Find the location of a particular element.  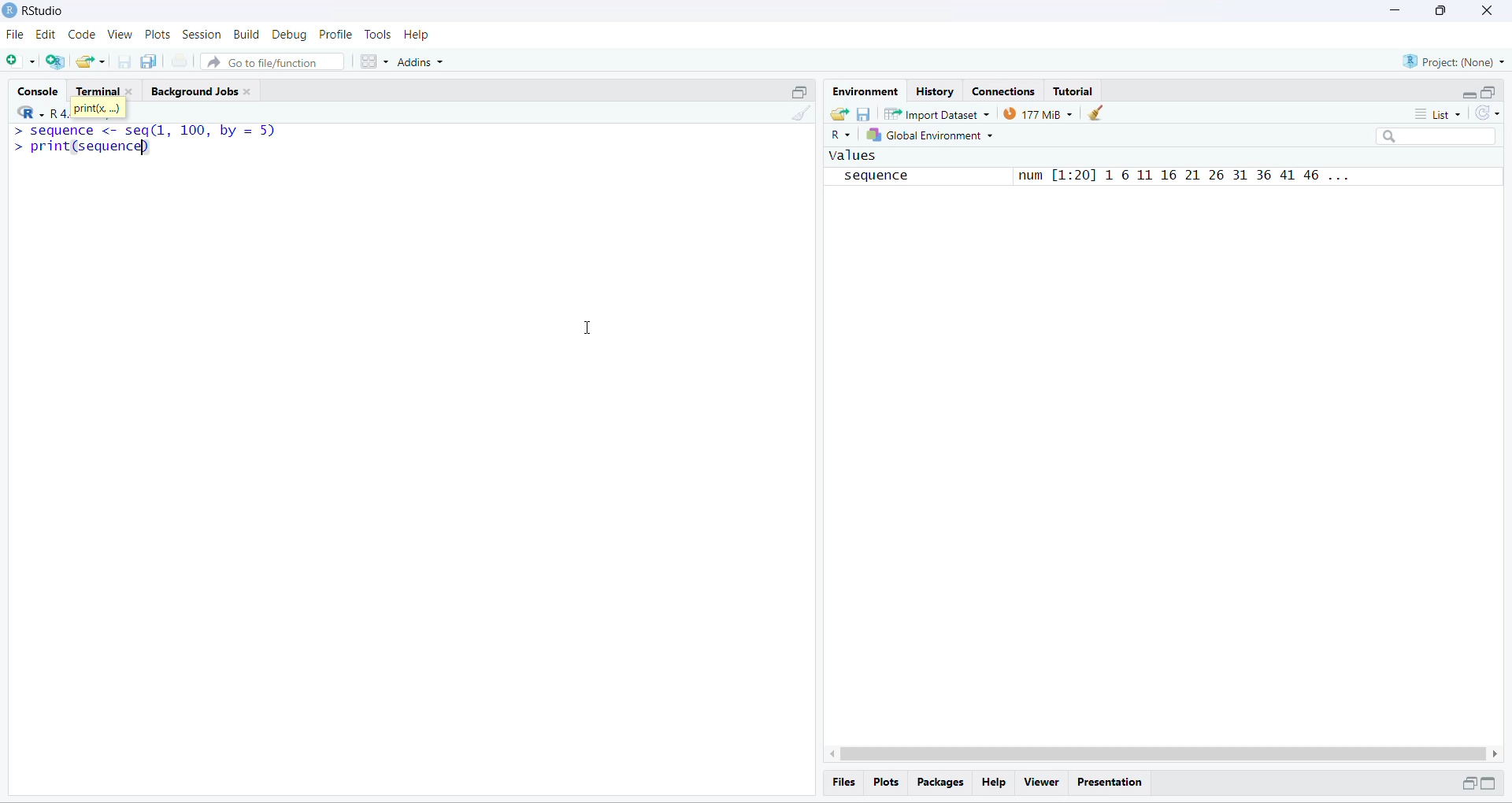

Profile is located at coordinates (335, 34).